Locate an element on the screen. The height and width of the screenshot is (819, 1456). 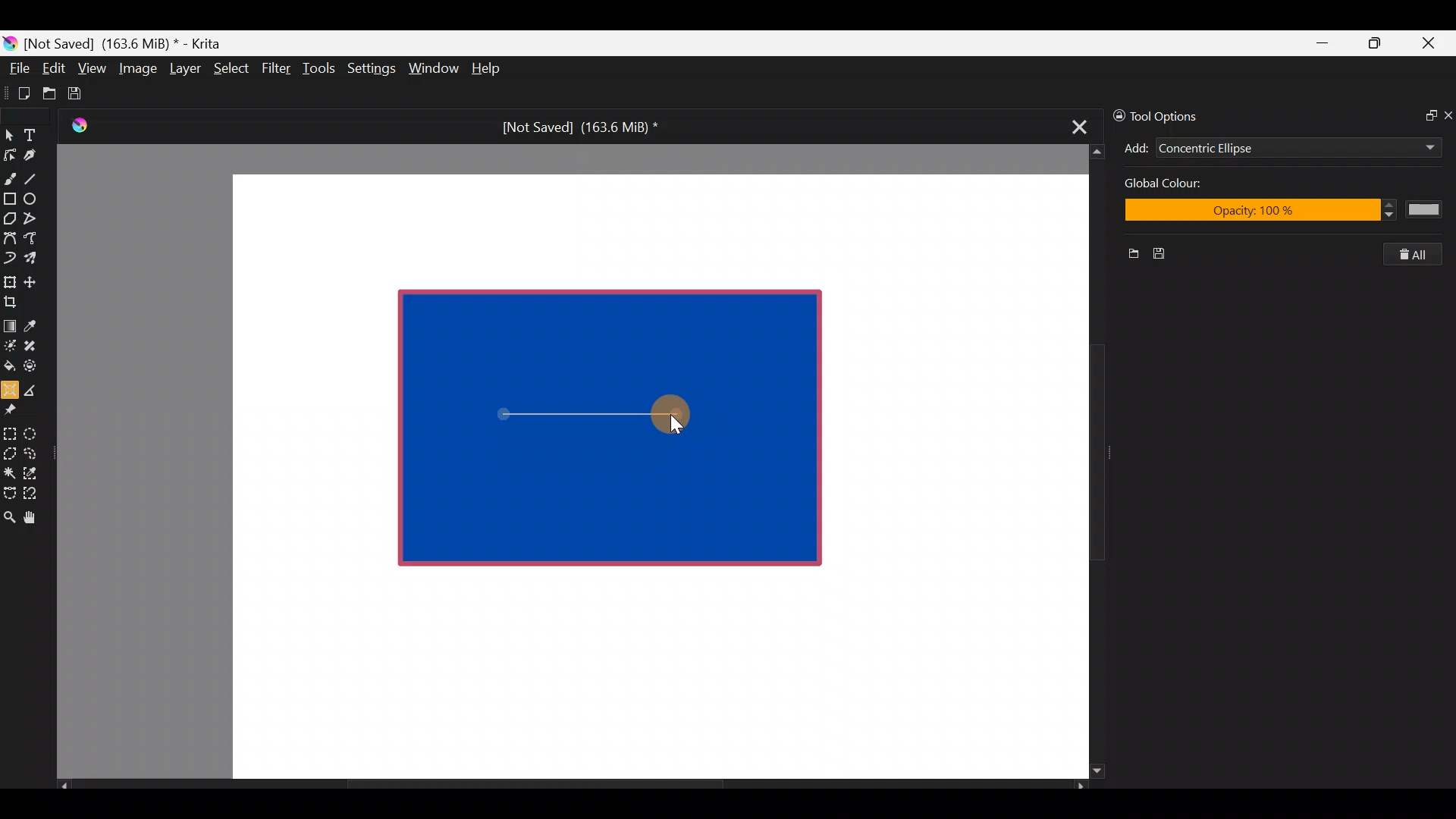
Freehand selection tool is located at coordinates (33, 452).